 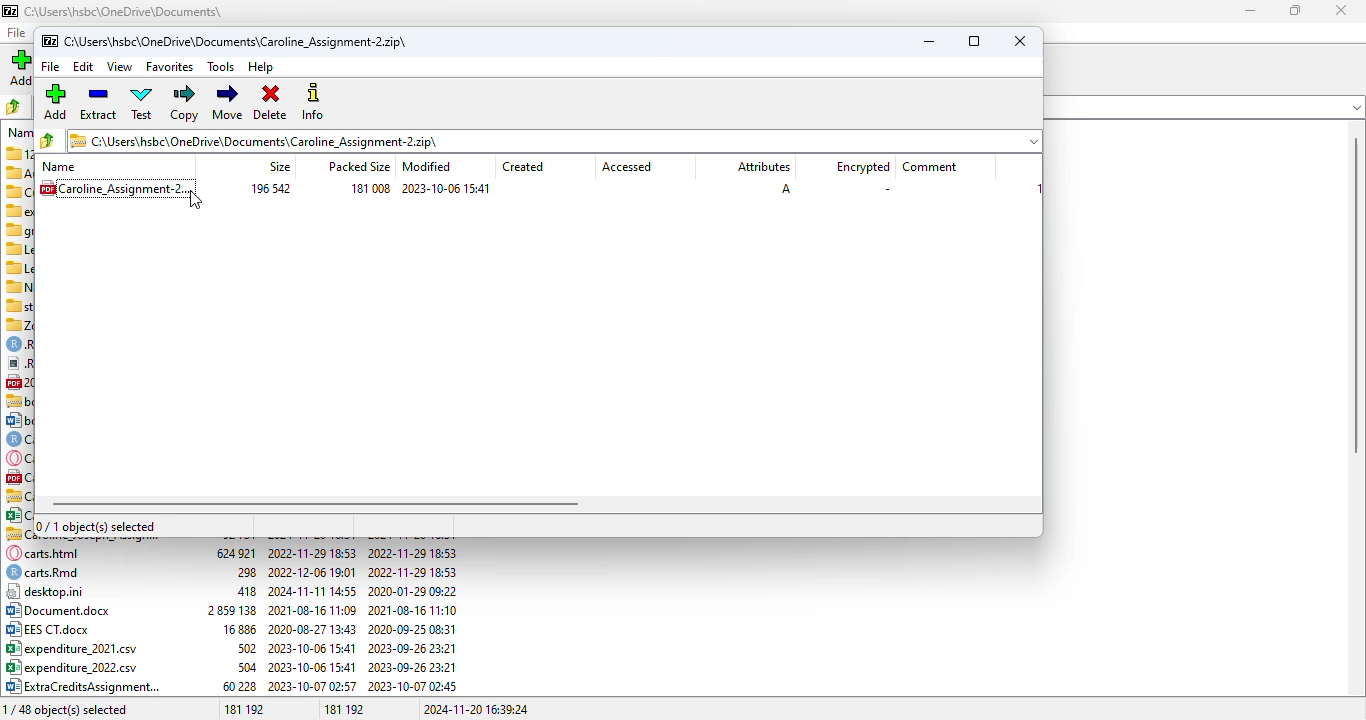 I want to click on 04) ExtraCreditsAssignment... 60228 2023-10-07 02:57 2023-10-07 02:45, so click(x=232, y=687).